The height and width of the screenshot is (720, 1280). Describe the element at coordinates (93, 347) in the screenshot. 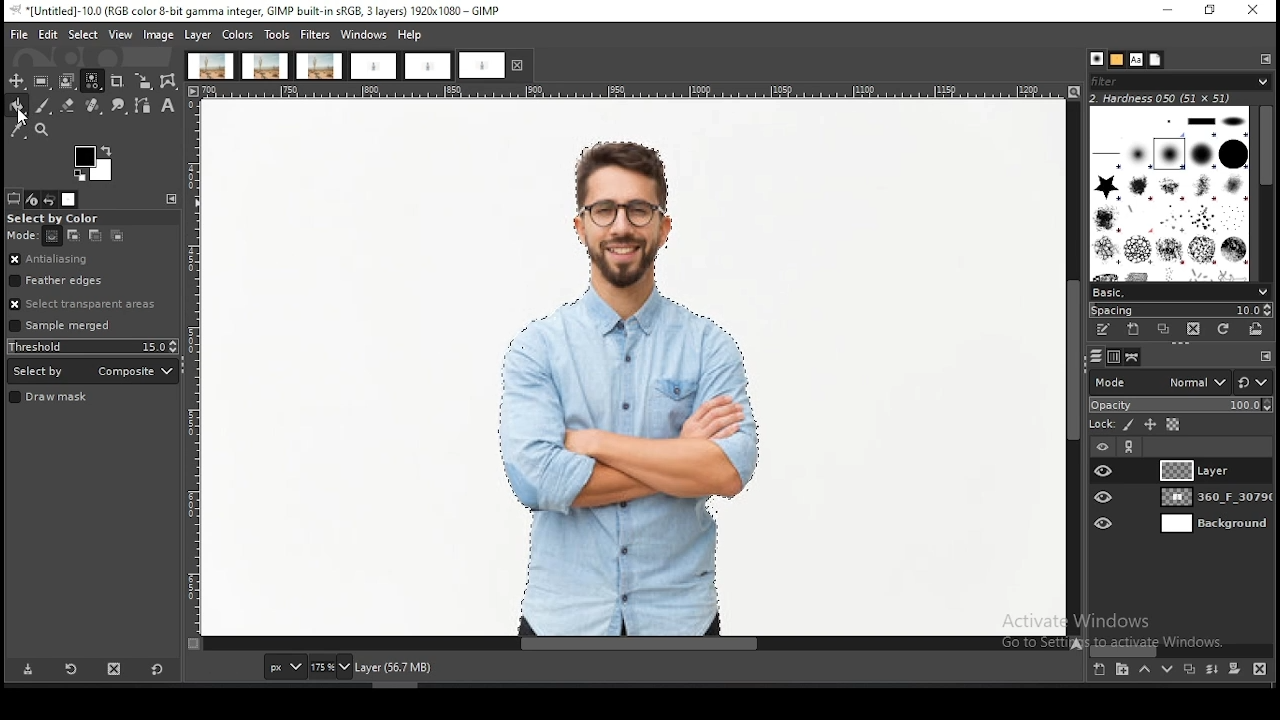

I see `threshold` at that location.